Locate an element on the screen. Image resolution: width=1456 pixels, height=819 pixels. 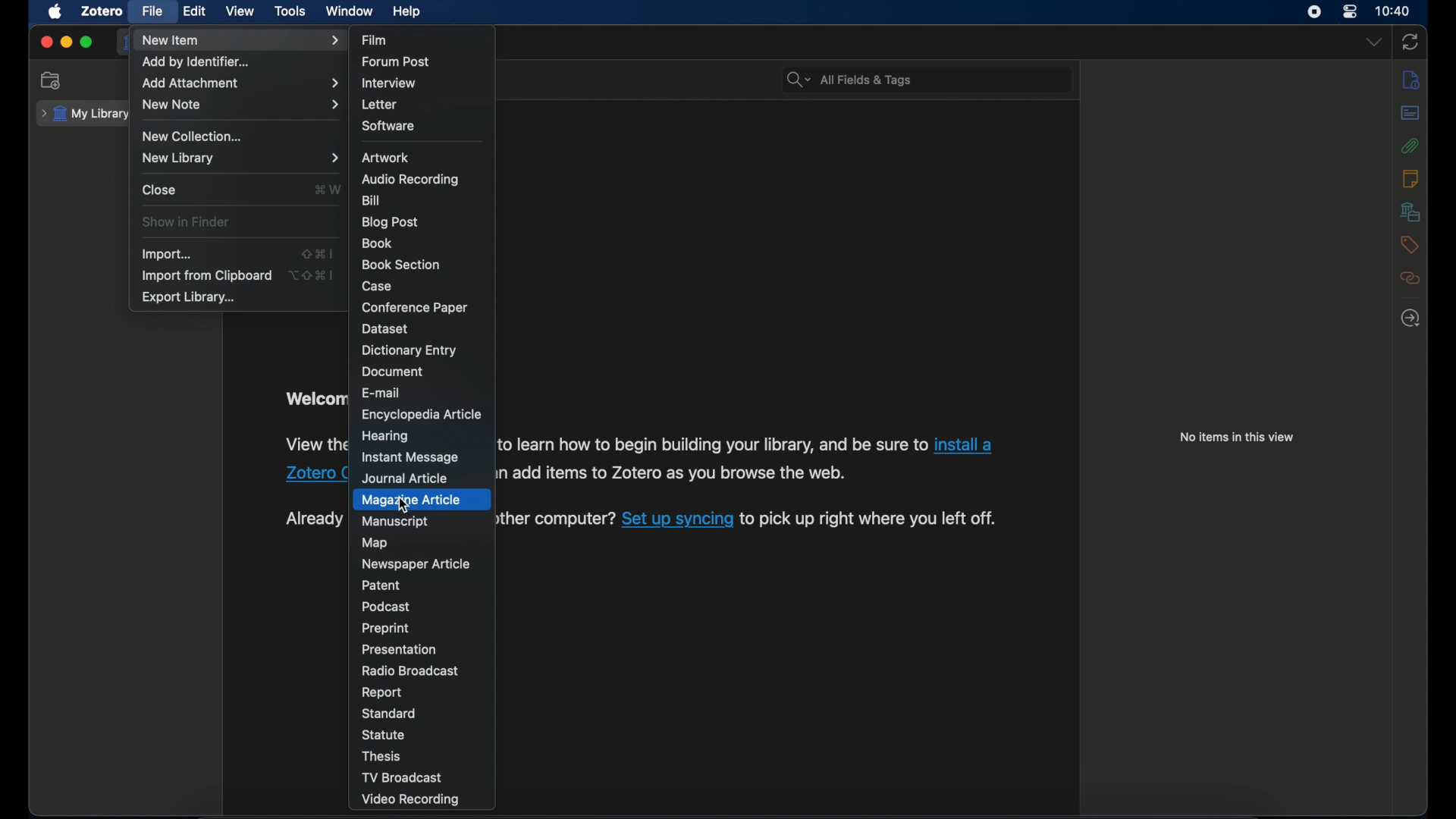
hearing is located at coordinates (385, 436).